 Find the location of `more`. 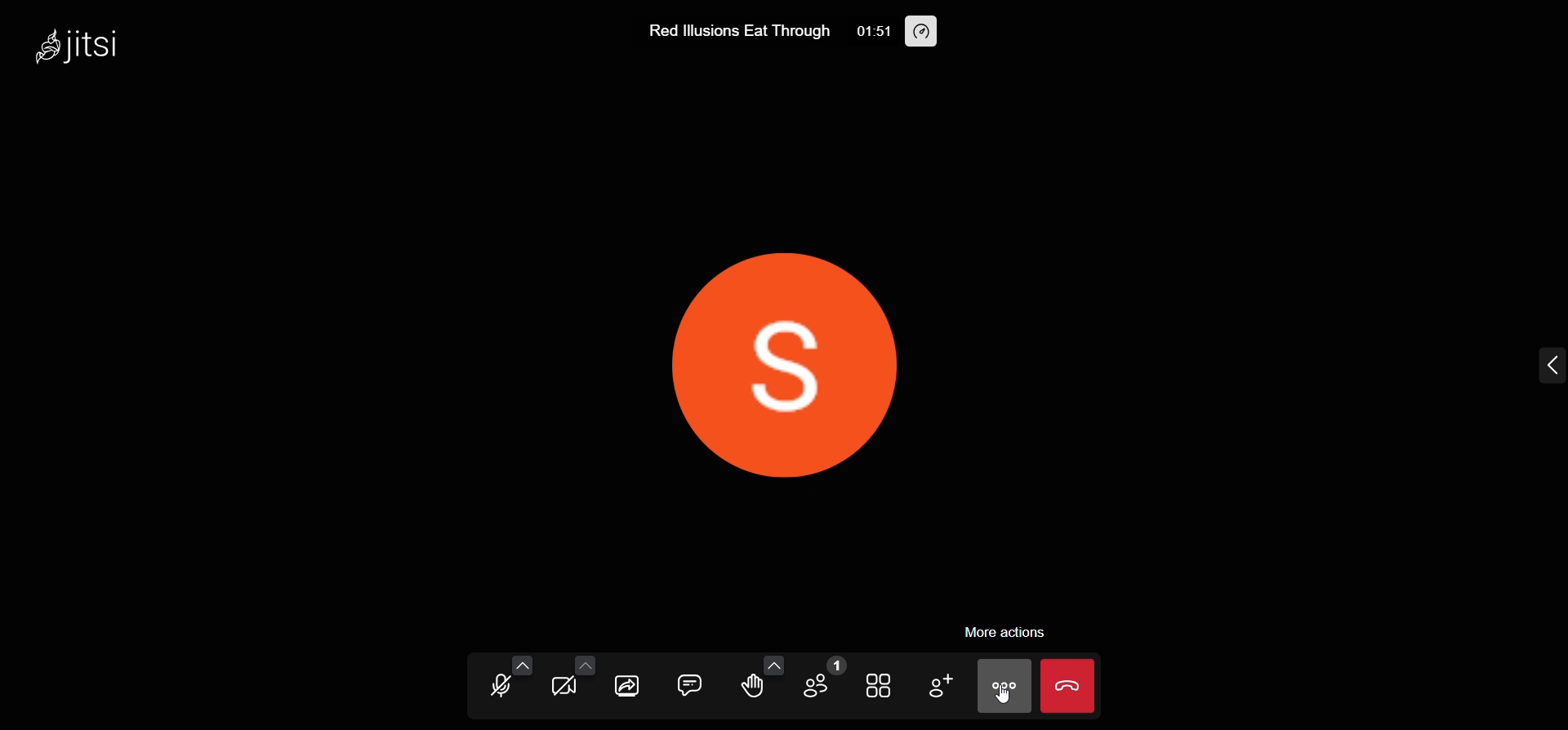

more is located at coordinates (1006, 686).